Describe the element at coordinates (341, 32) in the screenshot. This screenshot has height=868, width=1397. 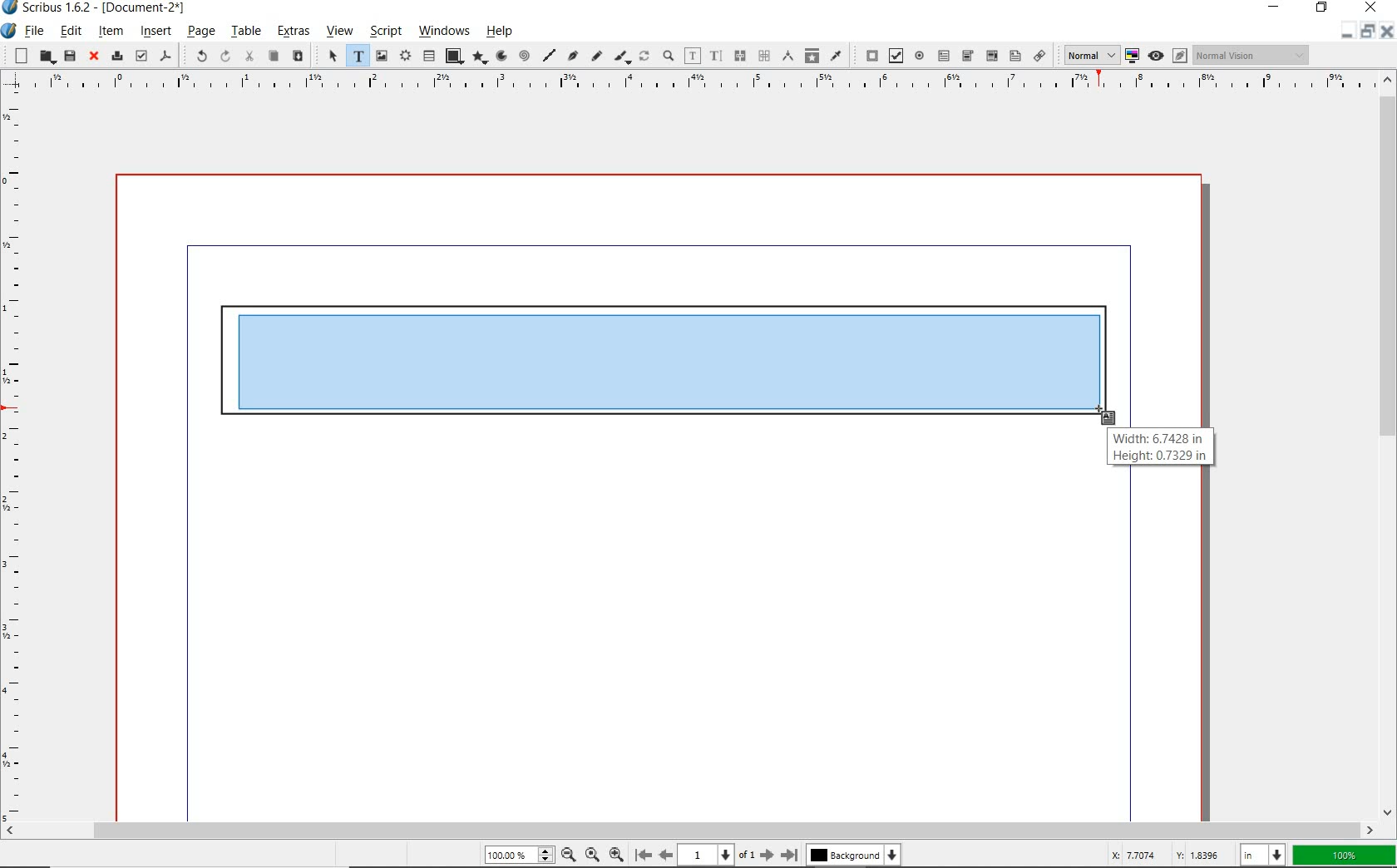
I see `view` at that location.